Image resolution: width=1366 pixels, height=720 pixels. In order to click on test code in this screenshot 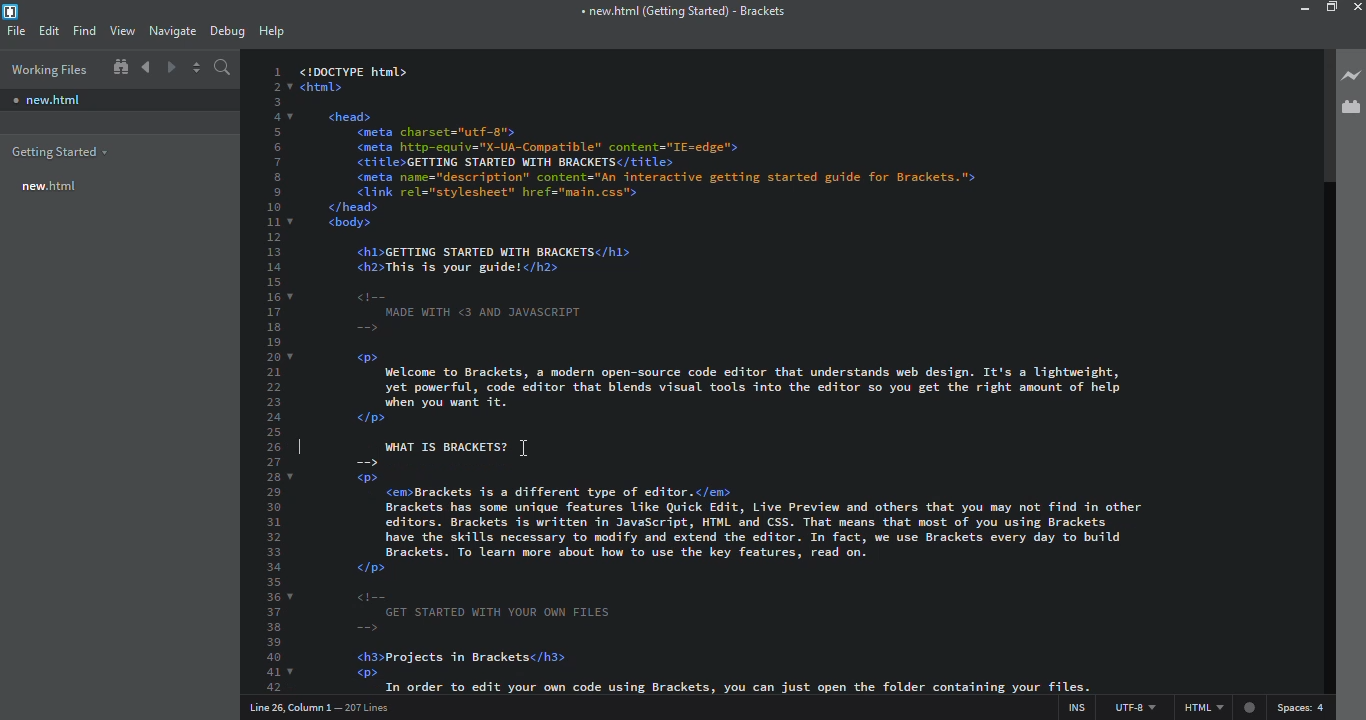, I will do `click(803, 579)`.